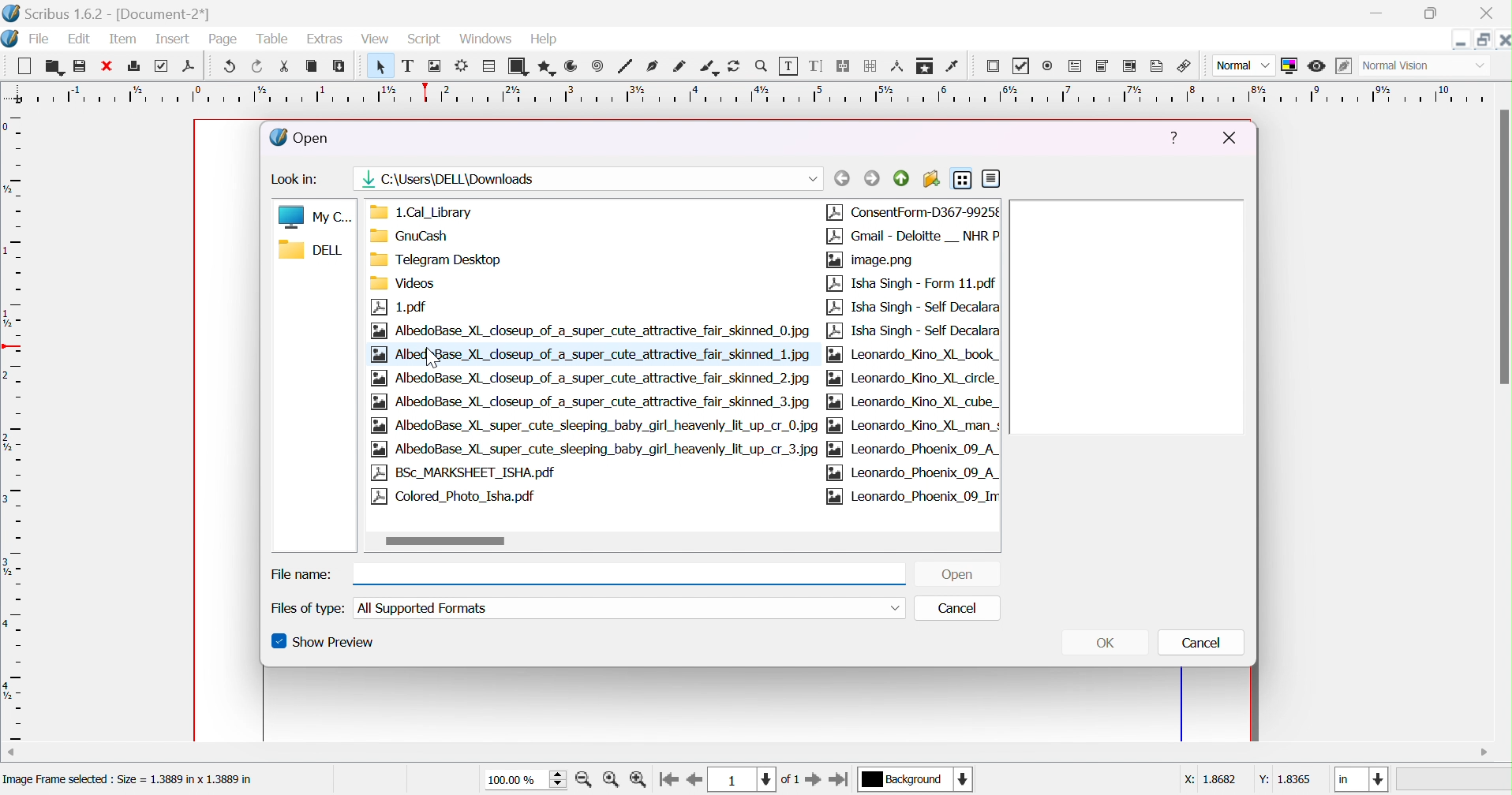 The height and width of the screenshot is (795, 1512). Describe the element at coordinates (450, 180) in the screenshot. I see `image path` at that location.